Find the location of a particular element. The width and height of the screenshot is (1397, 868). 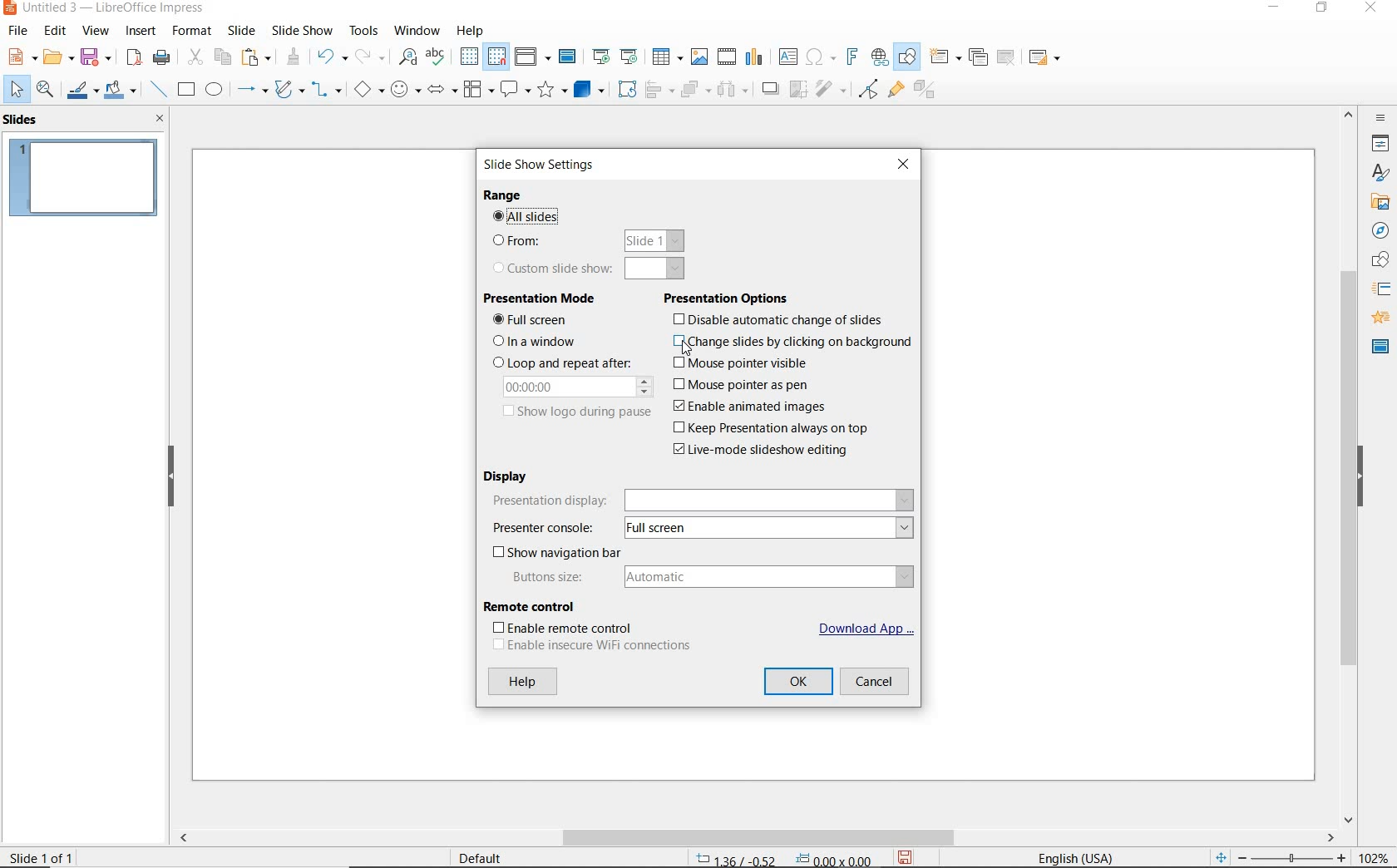

MASTER SLIDES is located at coordinates (1380, 348).